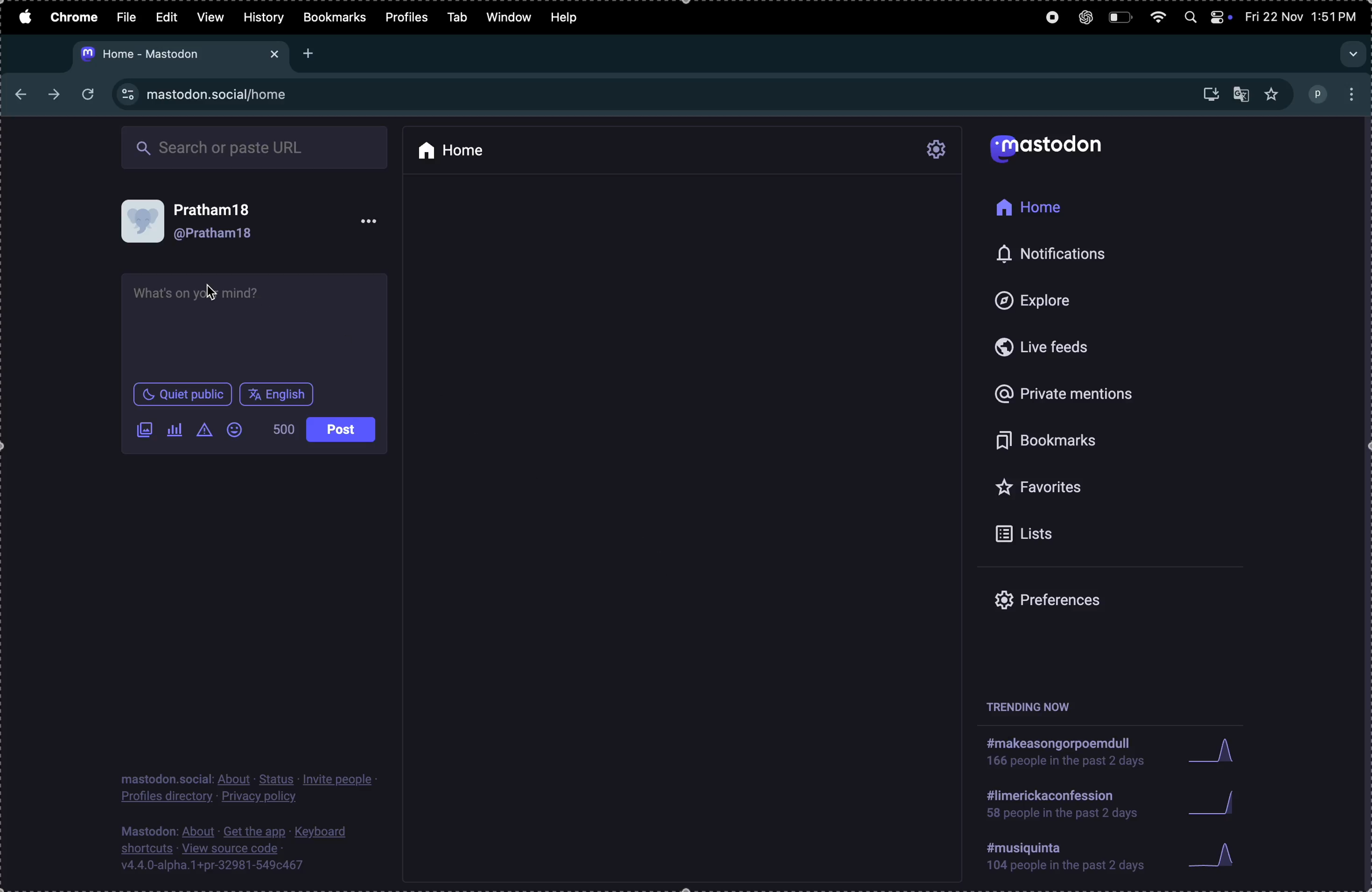  I want to click on window, so click(510, 18).